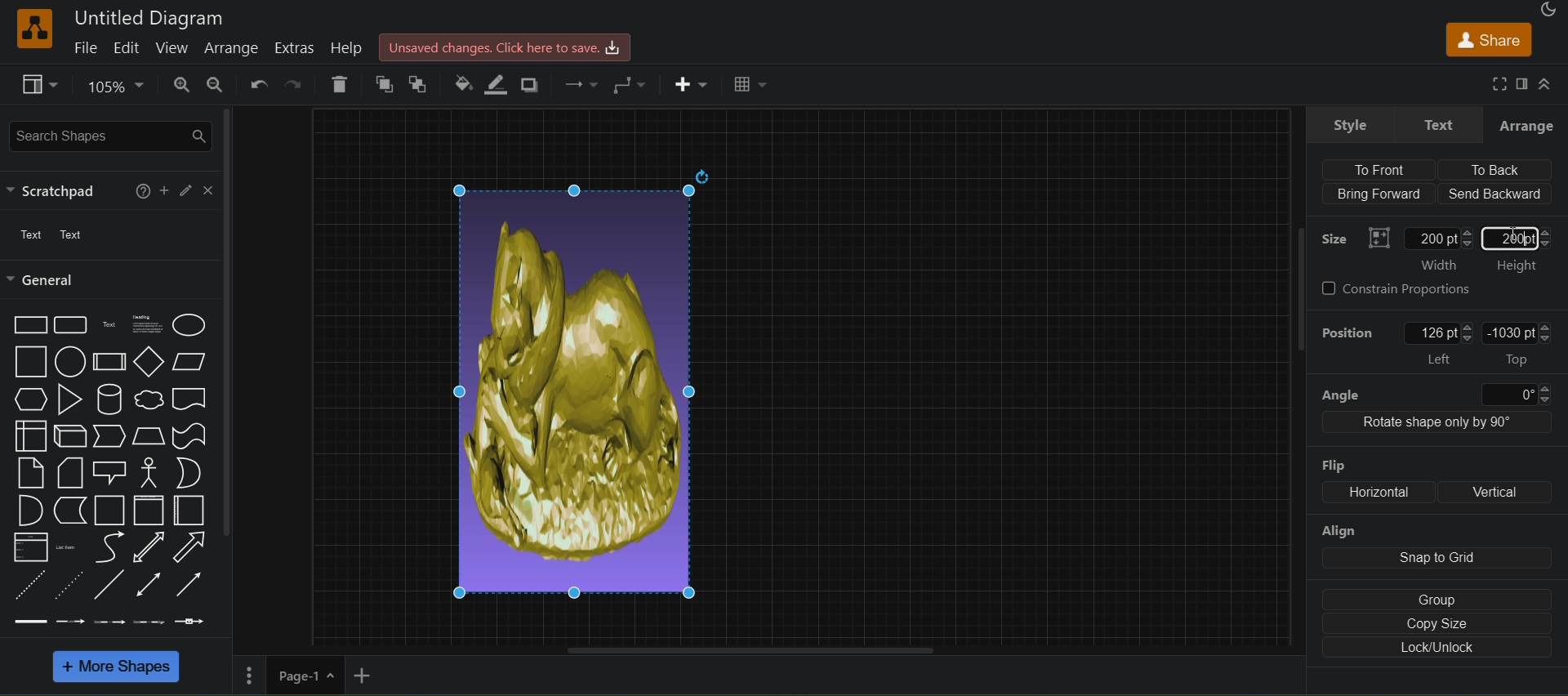  What do you see at coordinates (33, 29) in the screenshot?
I see `logo` at bounding box center [33, 29].